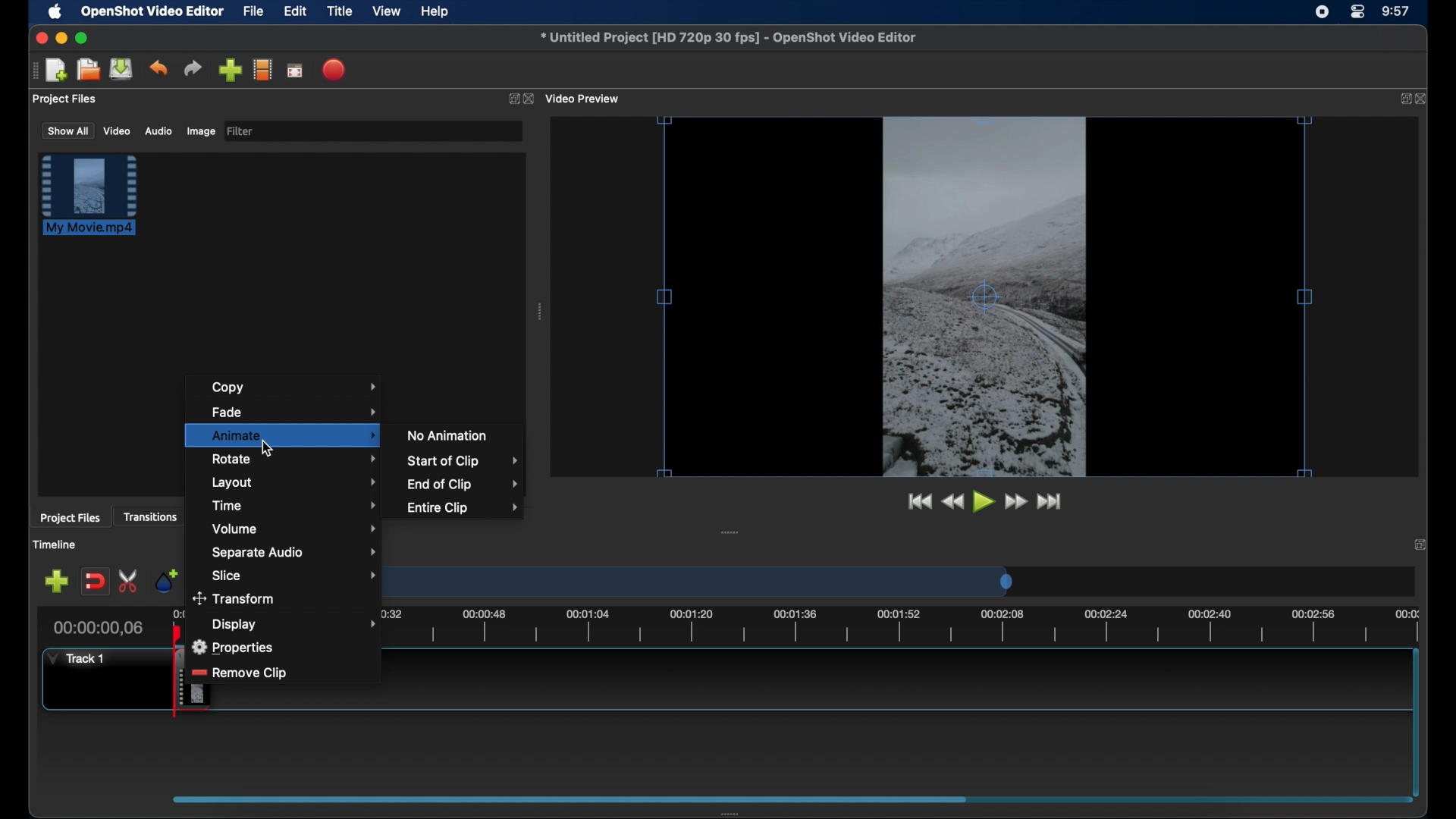 Image resolution: width=1456 pixels, height=819 pixels. Describe the element at coordinates (80, 658) in the screenshot. I see `track 1` at that location.